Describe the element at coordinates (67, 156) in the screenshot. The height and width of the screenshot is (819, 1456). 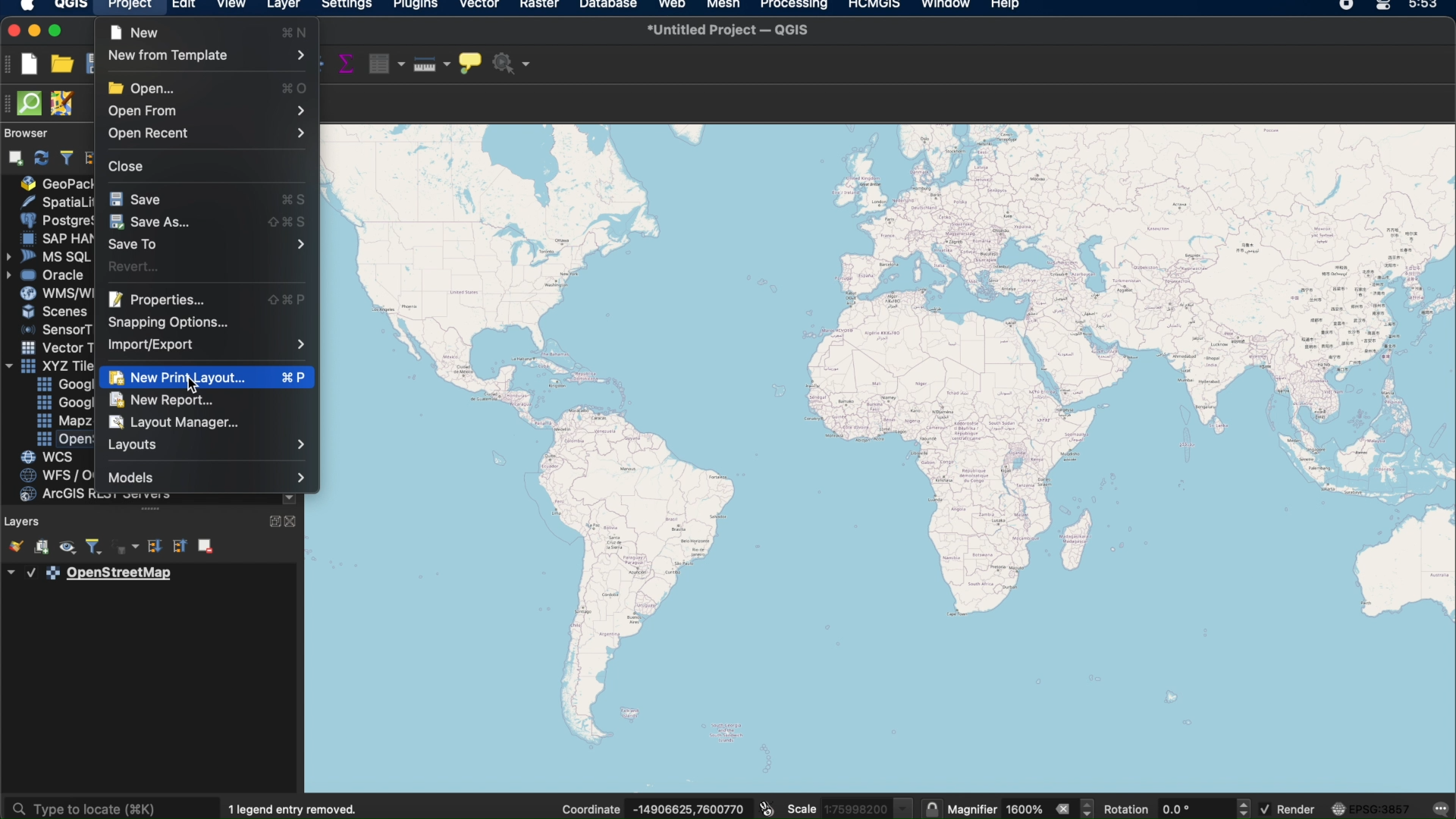
I see `filter browser` at that location.